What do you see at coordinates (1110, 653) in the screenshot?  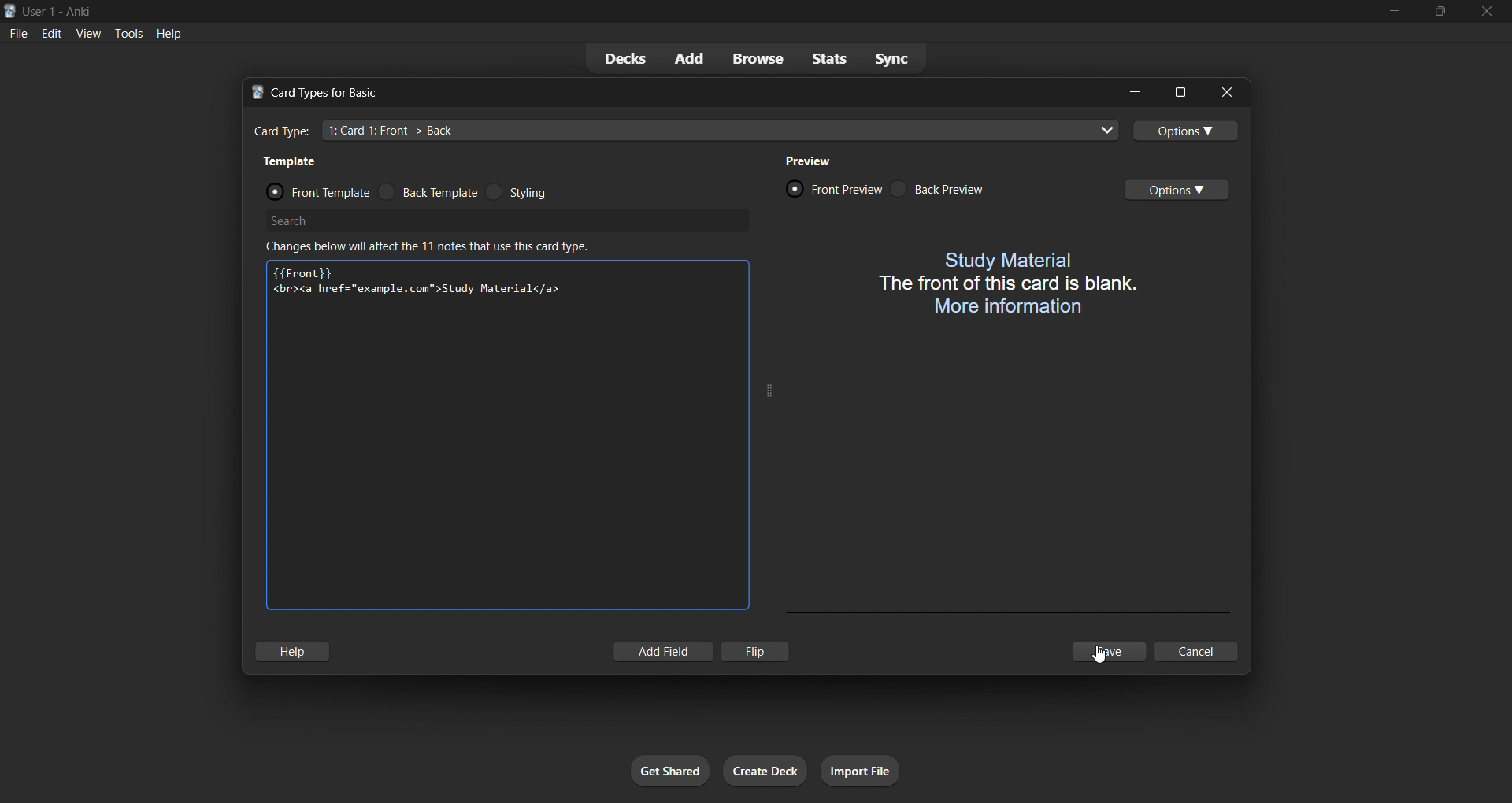 I see `save` at bounding box center [1110, 653].